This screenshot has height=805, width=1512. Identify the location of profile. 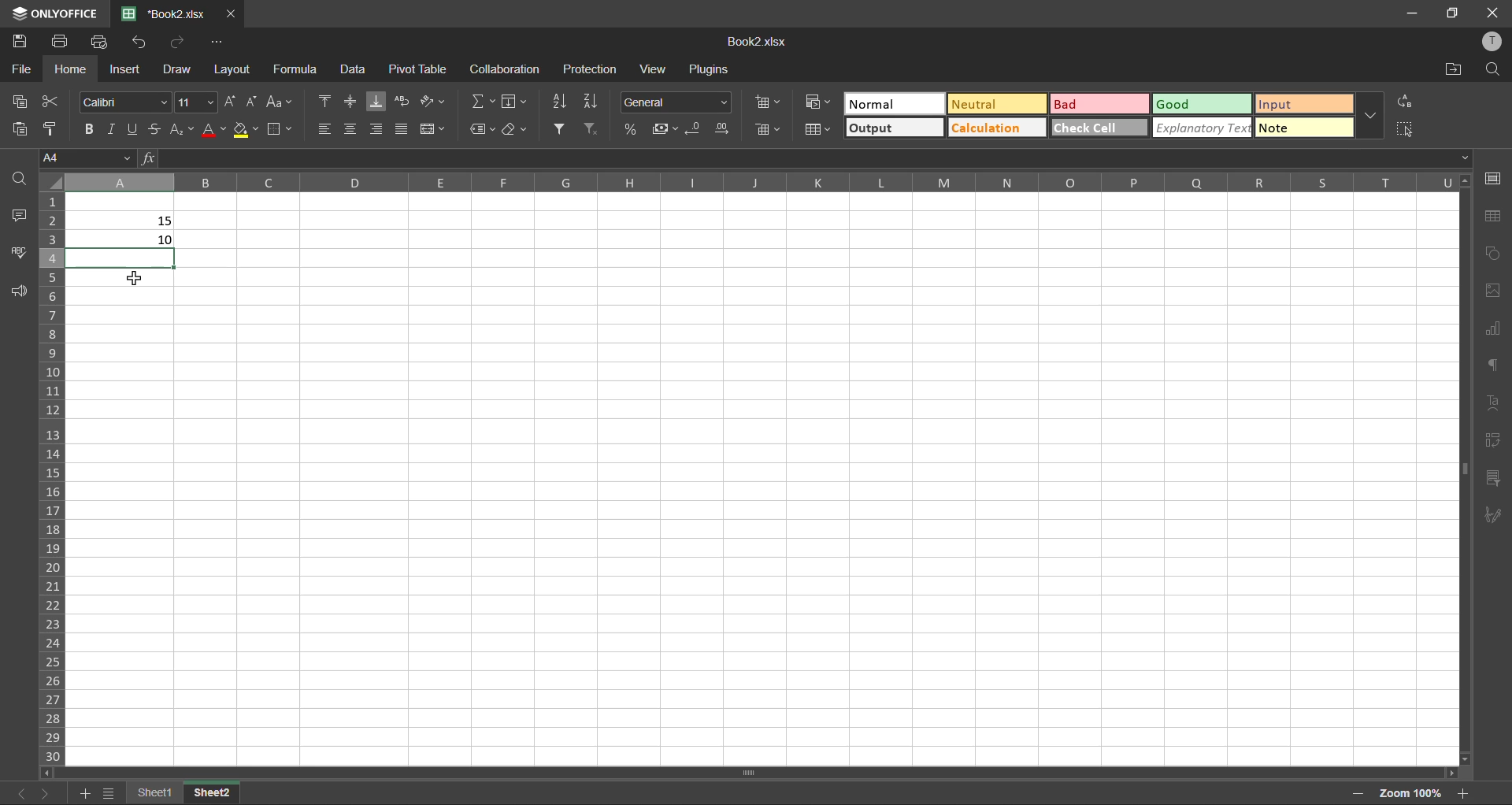
(1495, 46).